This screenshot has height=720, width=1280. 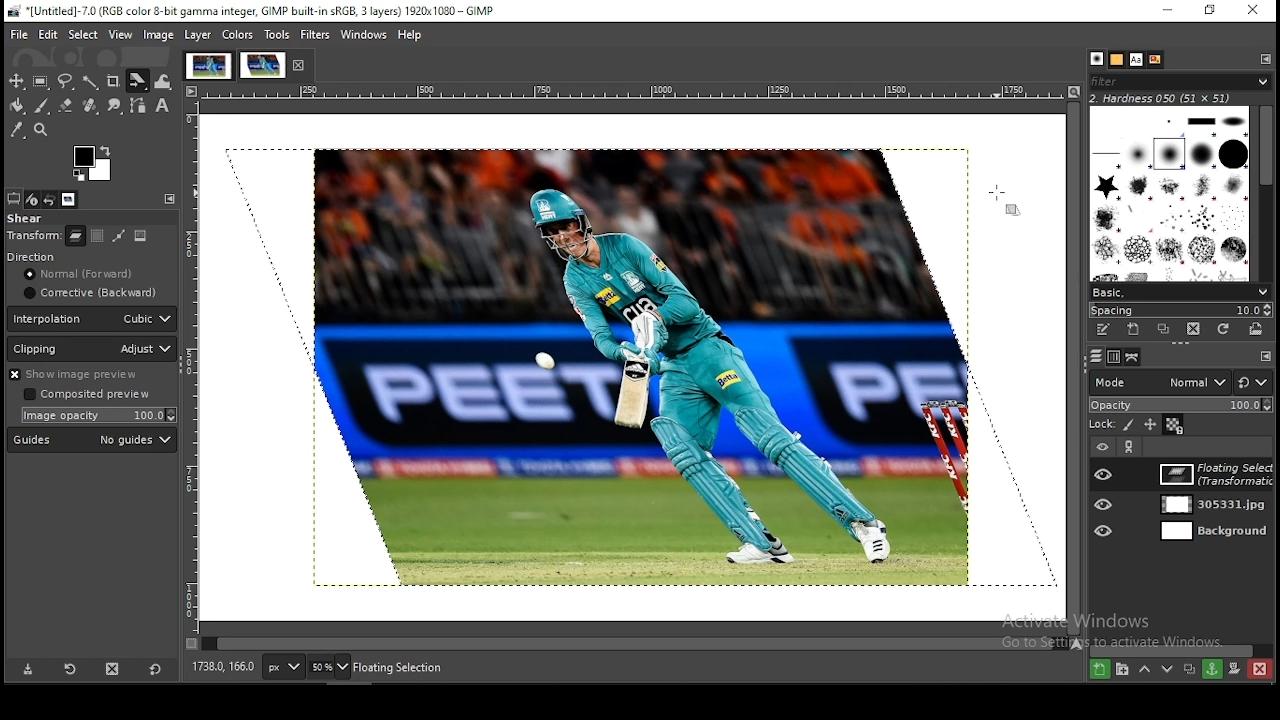 I want to click on normal [forward], so click(x=93, y=274).